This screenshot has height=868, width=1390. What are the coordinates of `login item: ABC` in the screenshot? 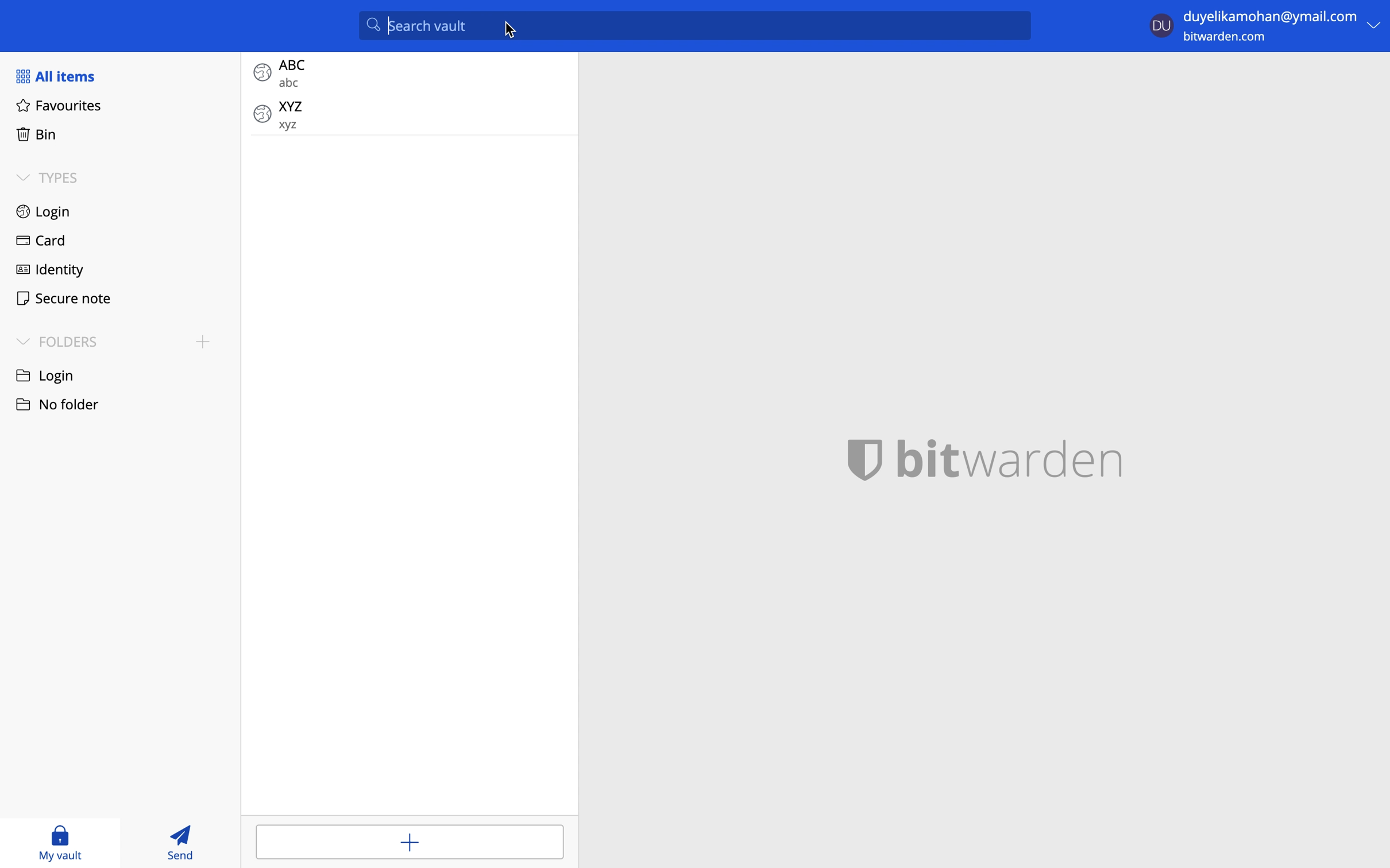 It's located at (406, 72).